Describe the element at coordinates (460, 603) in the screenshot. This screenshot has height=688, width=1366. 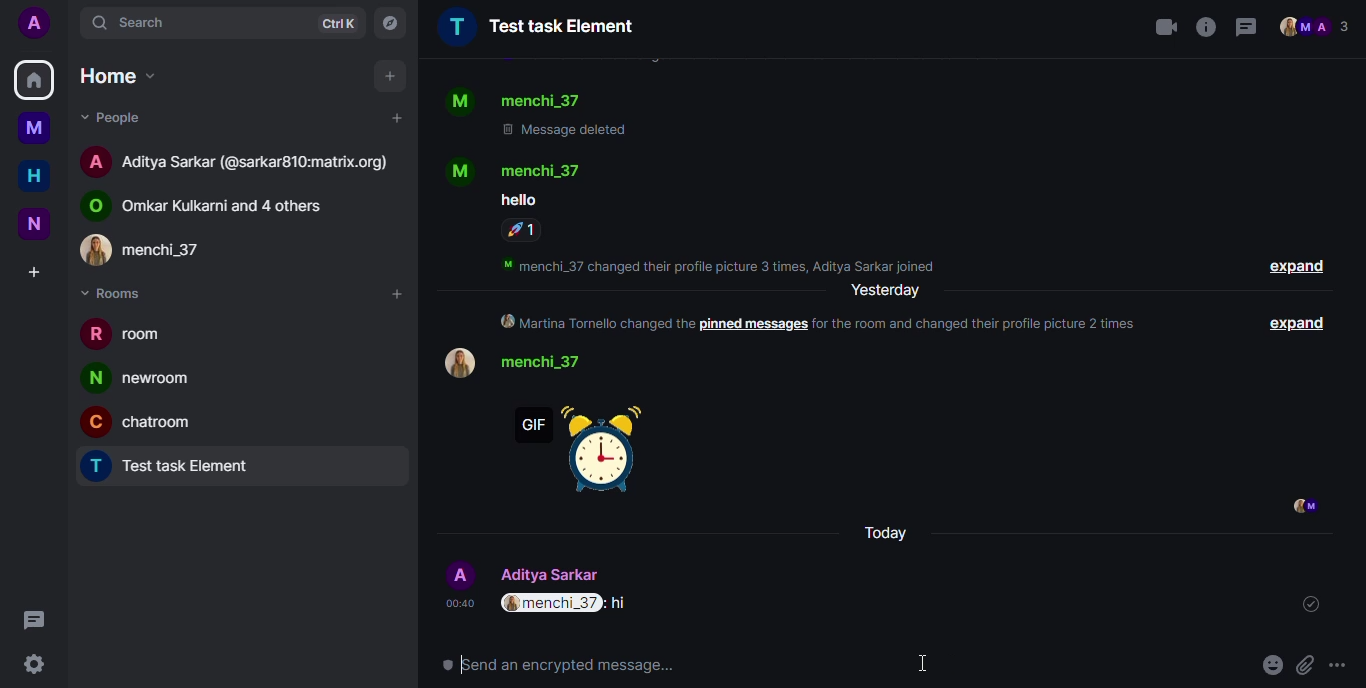
I see `time` at that location.